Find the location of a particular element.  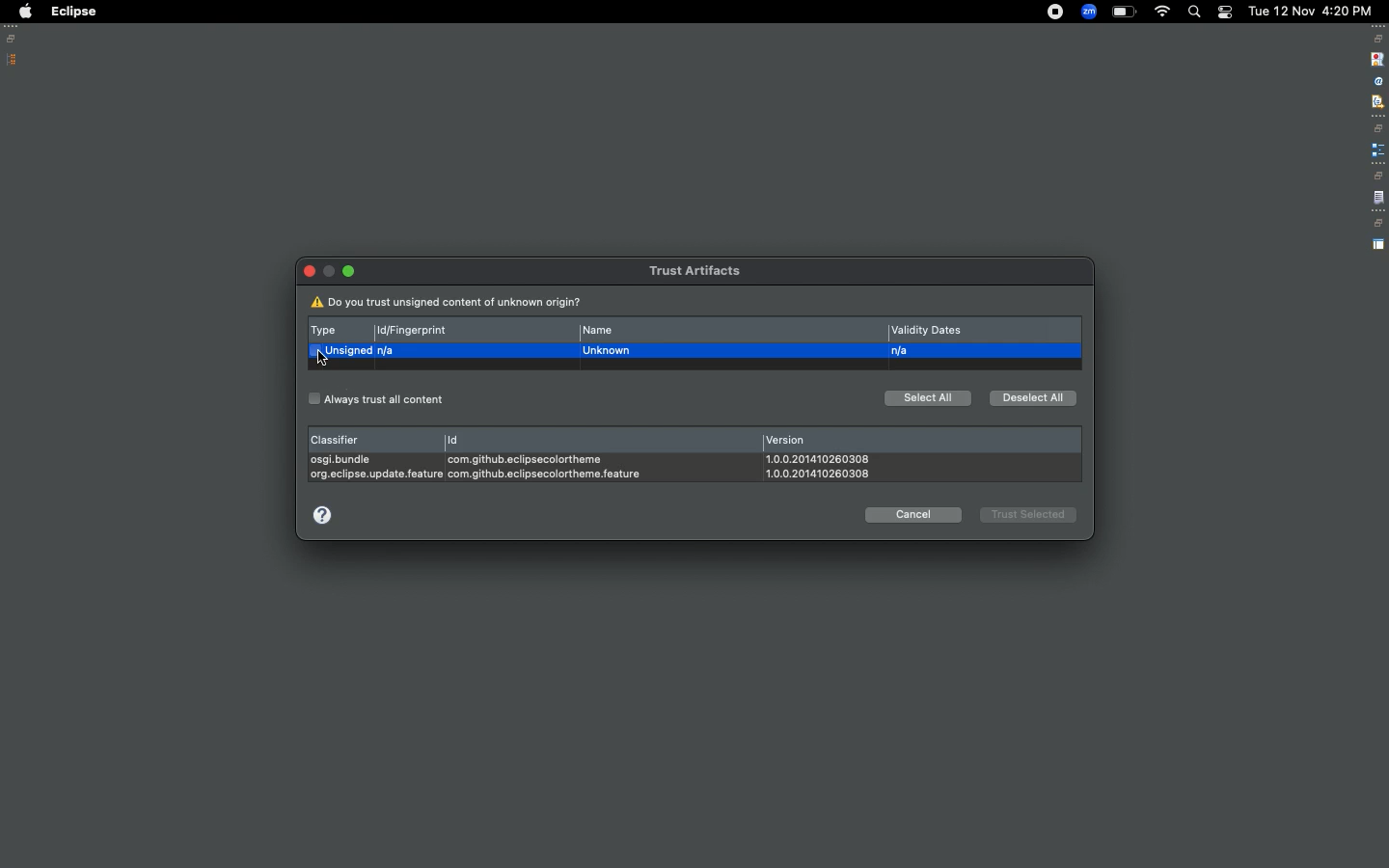

Restore is located at coordinates (14, 39).